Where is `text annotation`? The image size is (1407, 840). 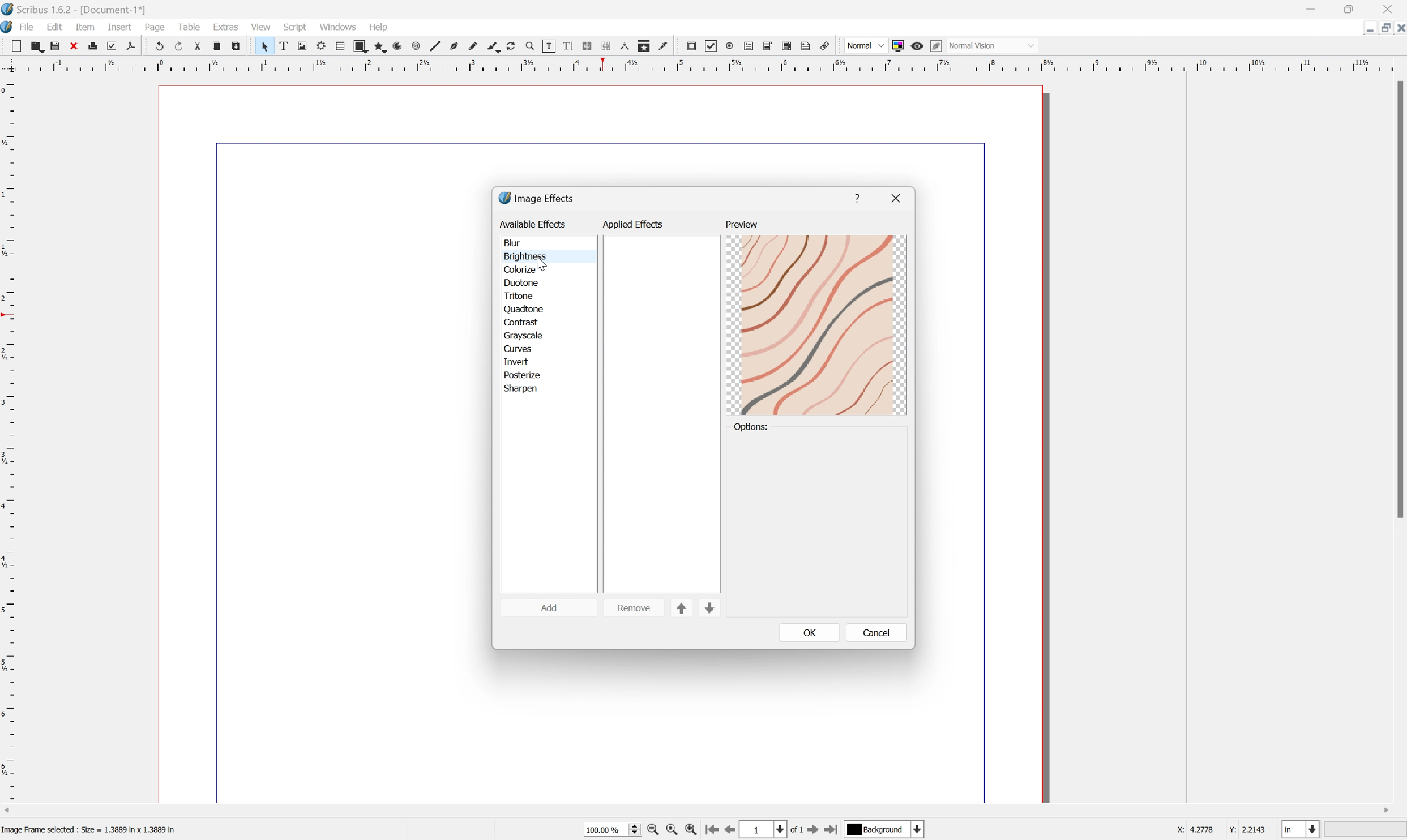
text annotation is located at coordinates (807, 46).